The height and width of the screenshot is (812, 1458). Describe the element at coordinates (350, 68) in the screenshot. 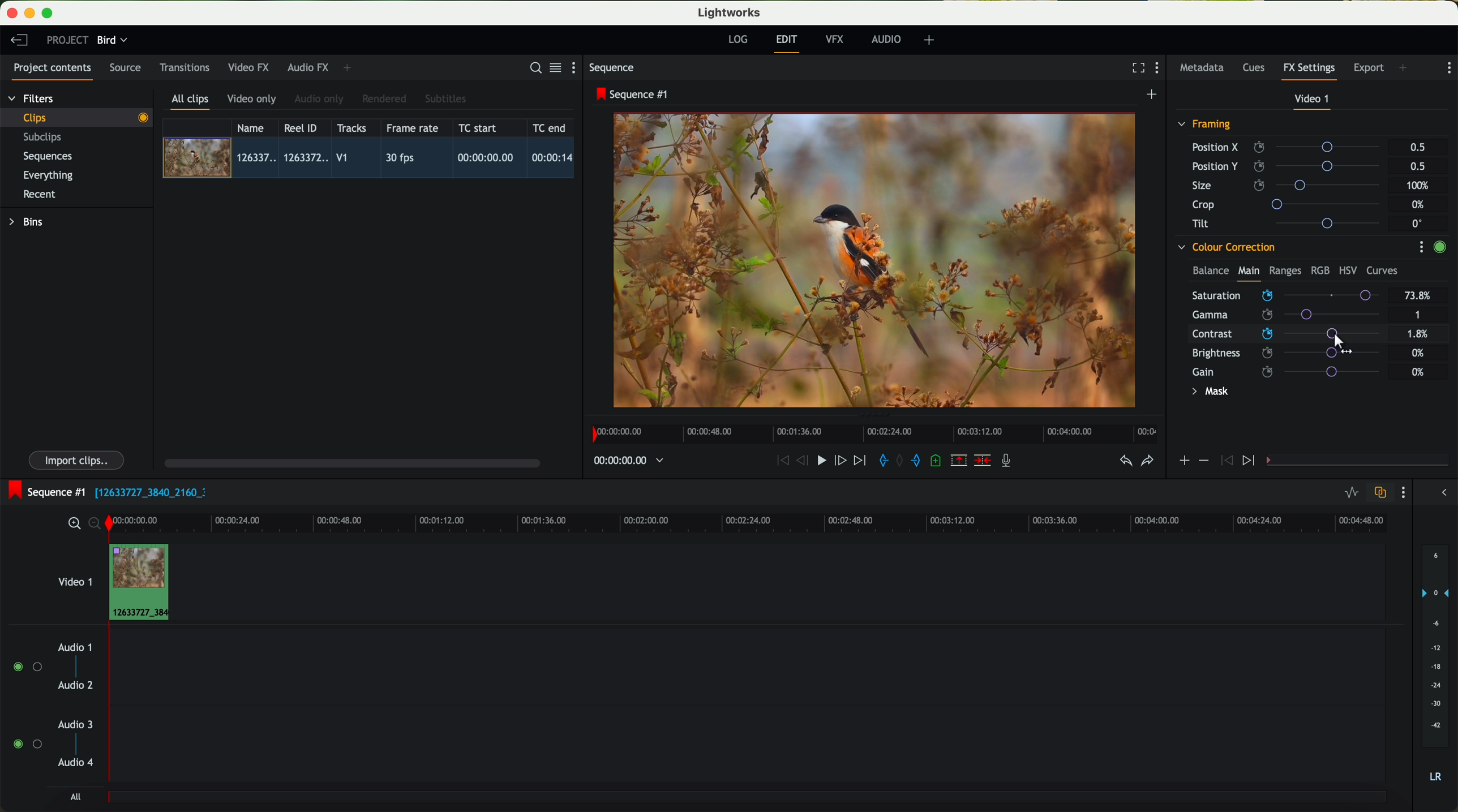

I see `add panel` at that location.